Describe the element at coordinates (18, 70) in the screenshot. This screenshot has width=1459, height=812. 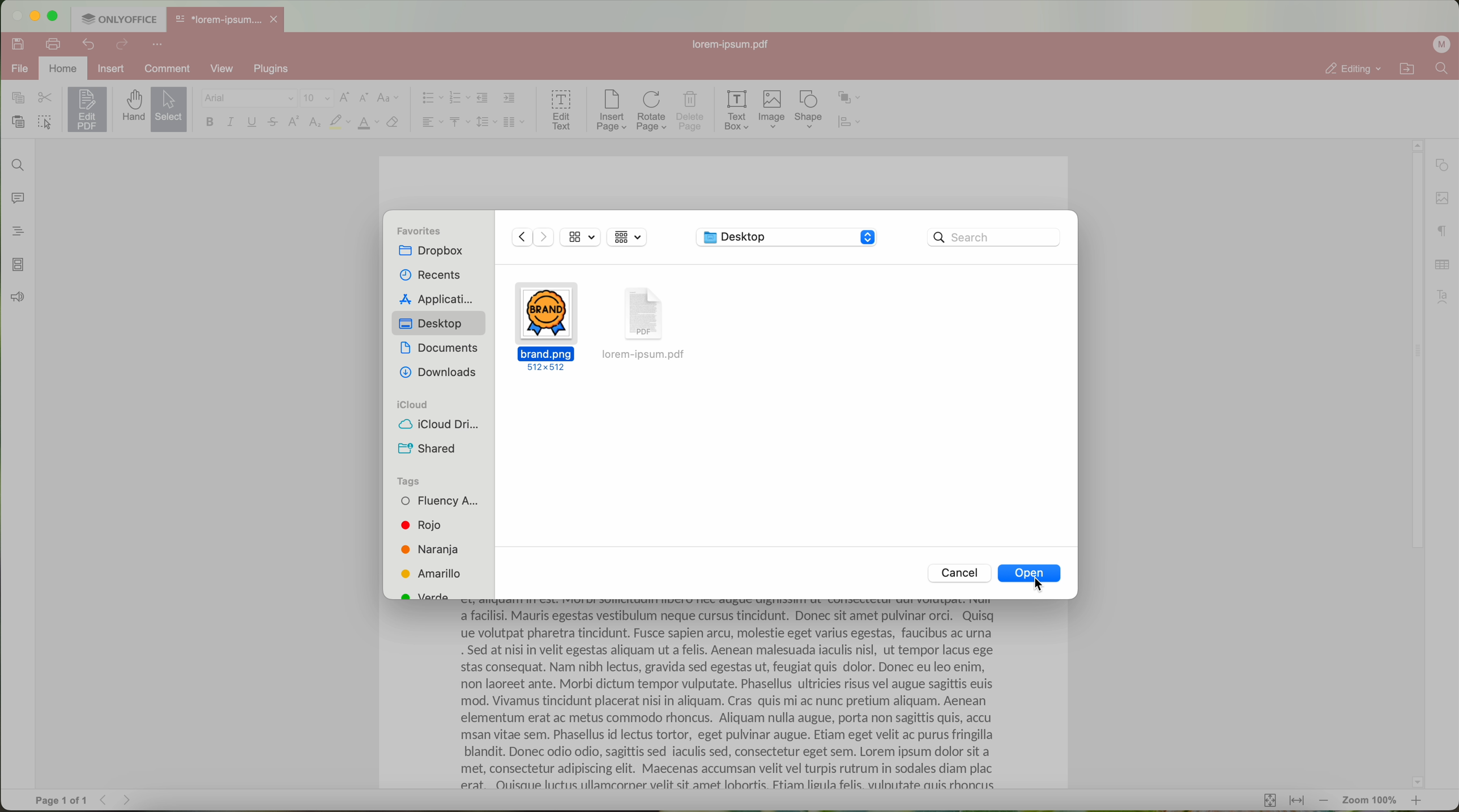
I see `file` at that location.